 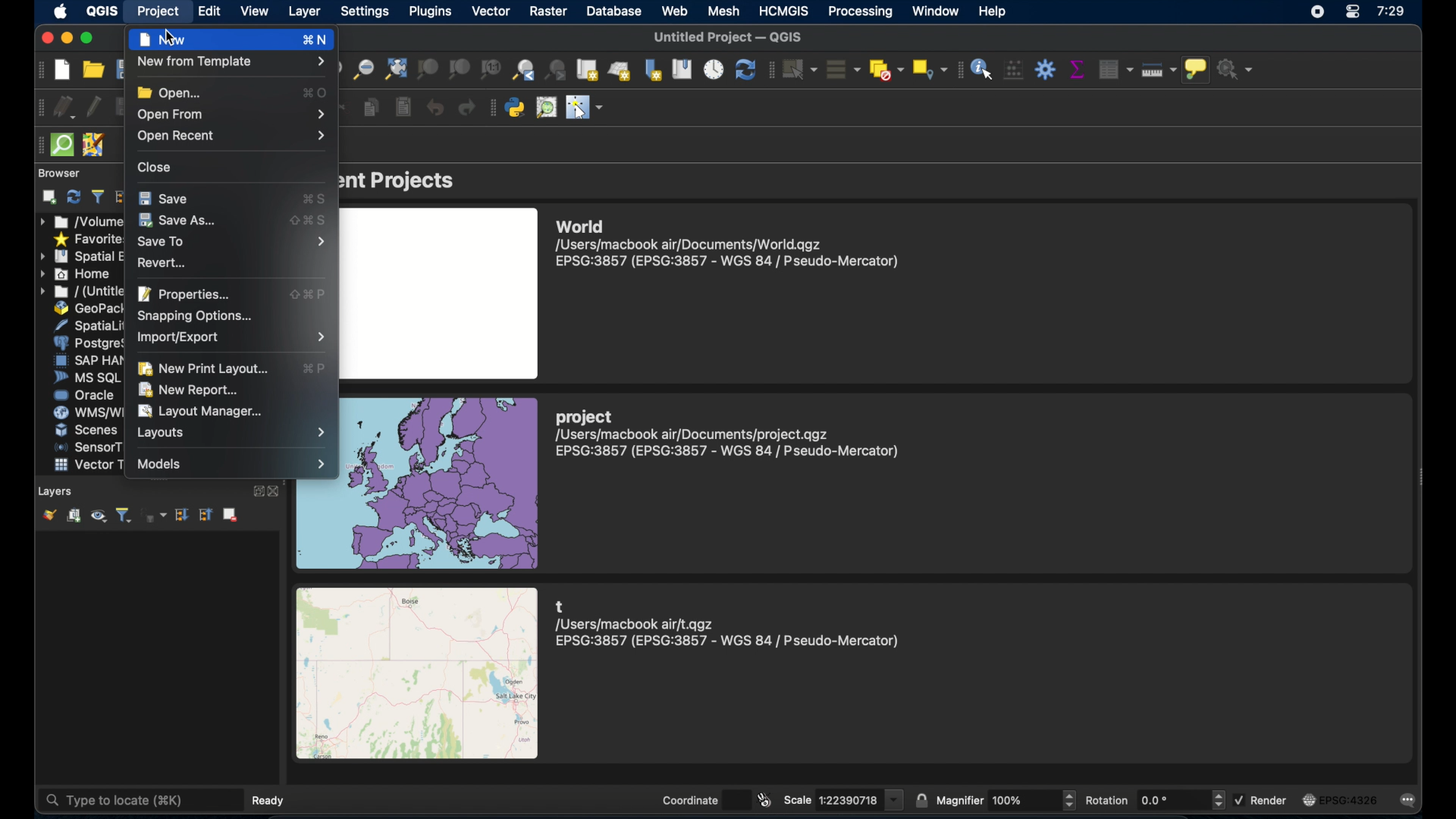 I want to click on plugins toolbar, so click(x=491, y=108).